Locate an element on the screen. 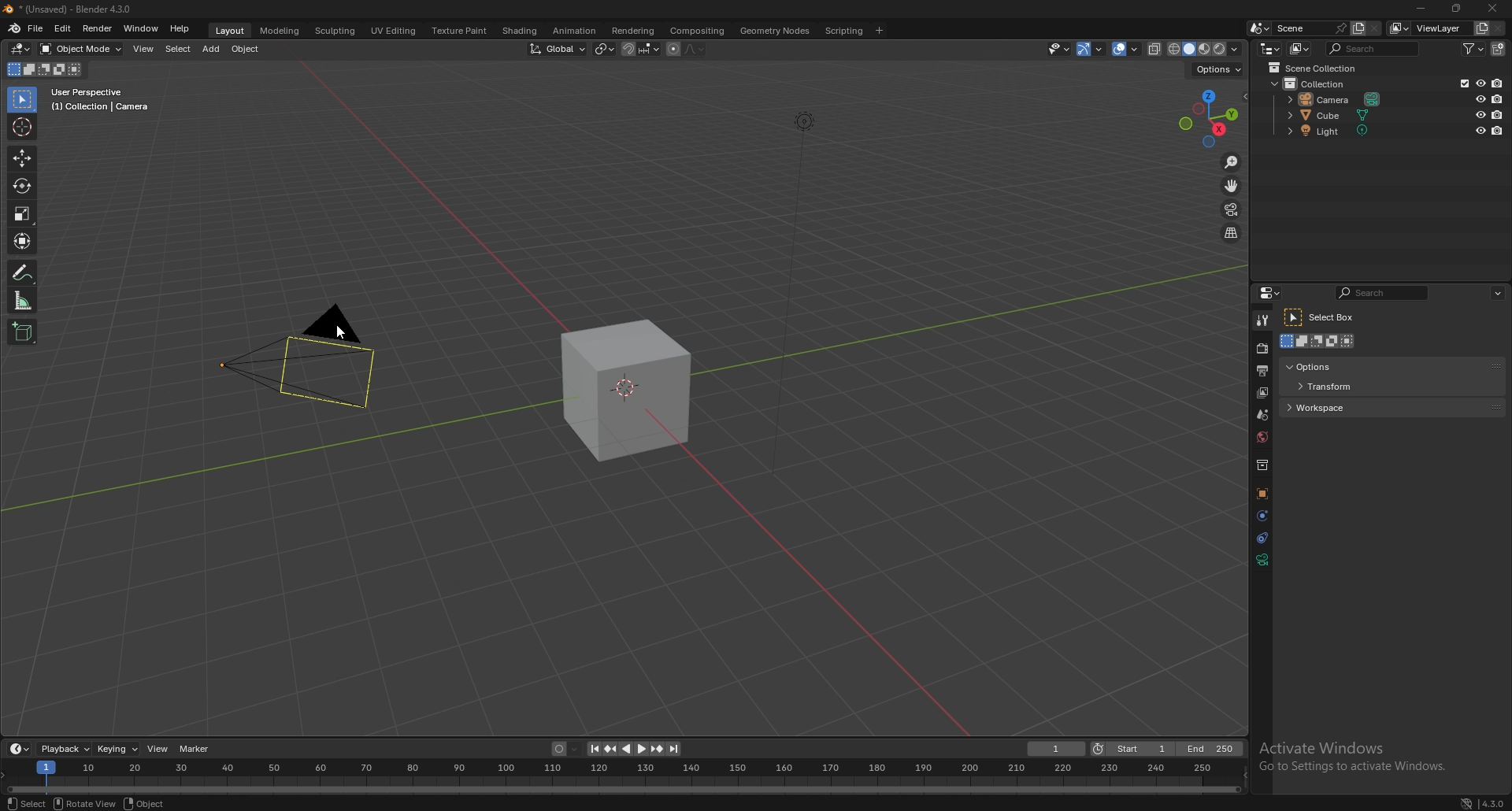  start is located at coordinates (1132, 750).